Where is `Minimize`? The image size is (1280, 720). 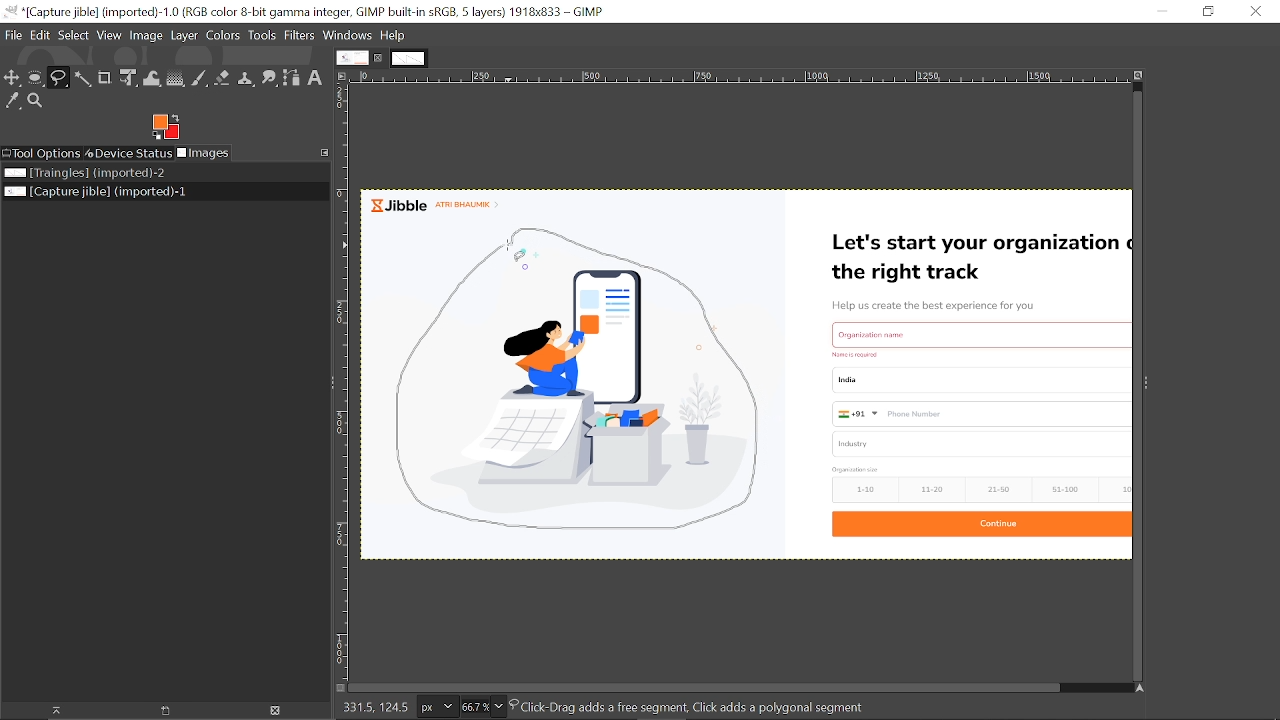 Minimize is located at coordinates (1161, 11).